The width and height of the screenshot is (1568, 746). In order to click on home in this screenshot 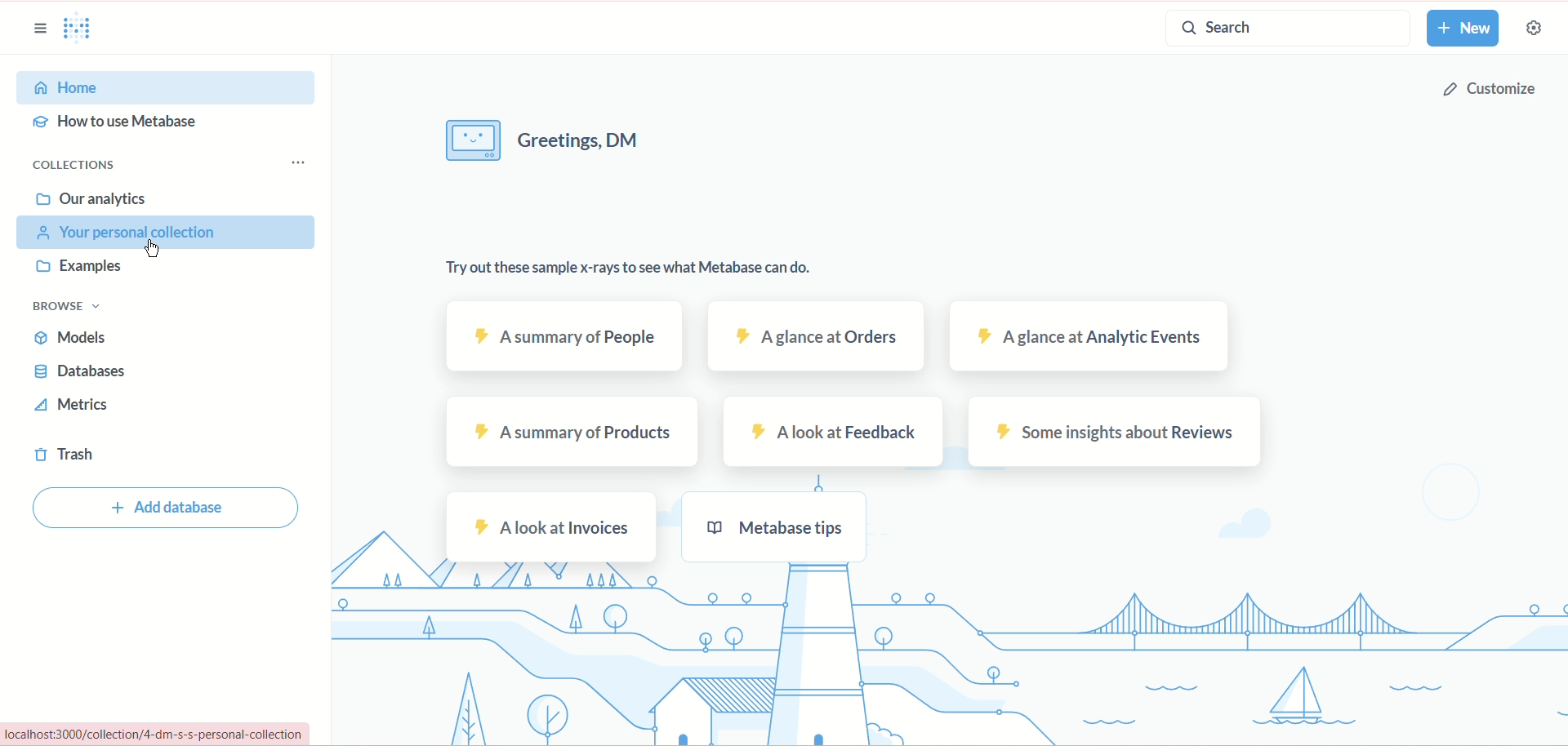, I will do `click(167, 88)`.